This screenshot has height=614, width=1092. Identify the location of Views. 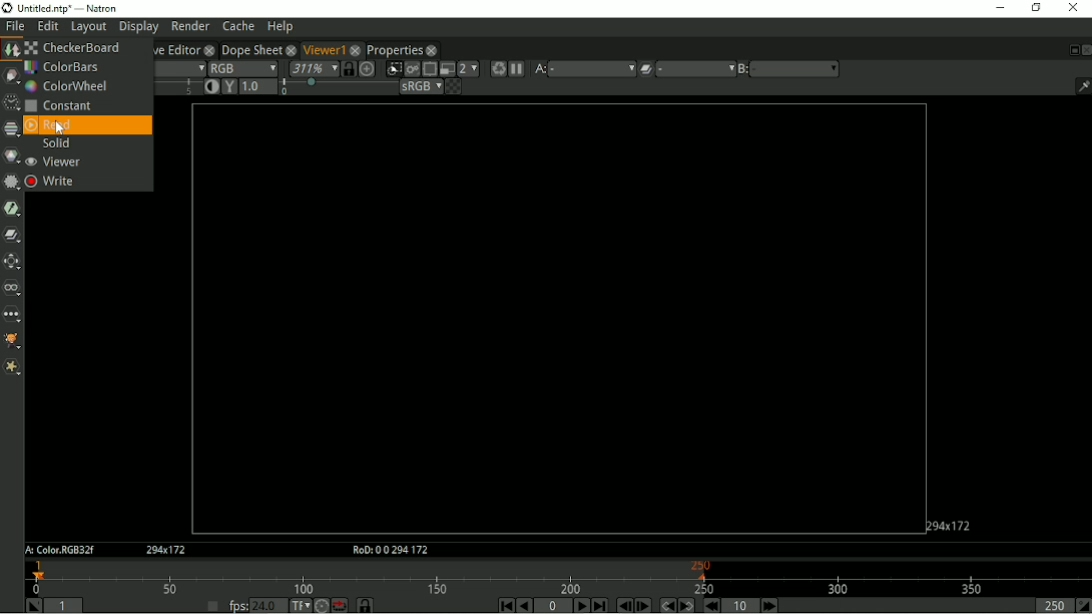
(12, 288).